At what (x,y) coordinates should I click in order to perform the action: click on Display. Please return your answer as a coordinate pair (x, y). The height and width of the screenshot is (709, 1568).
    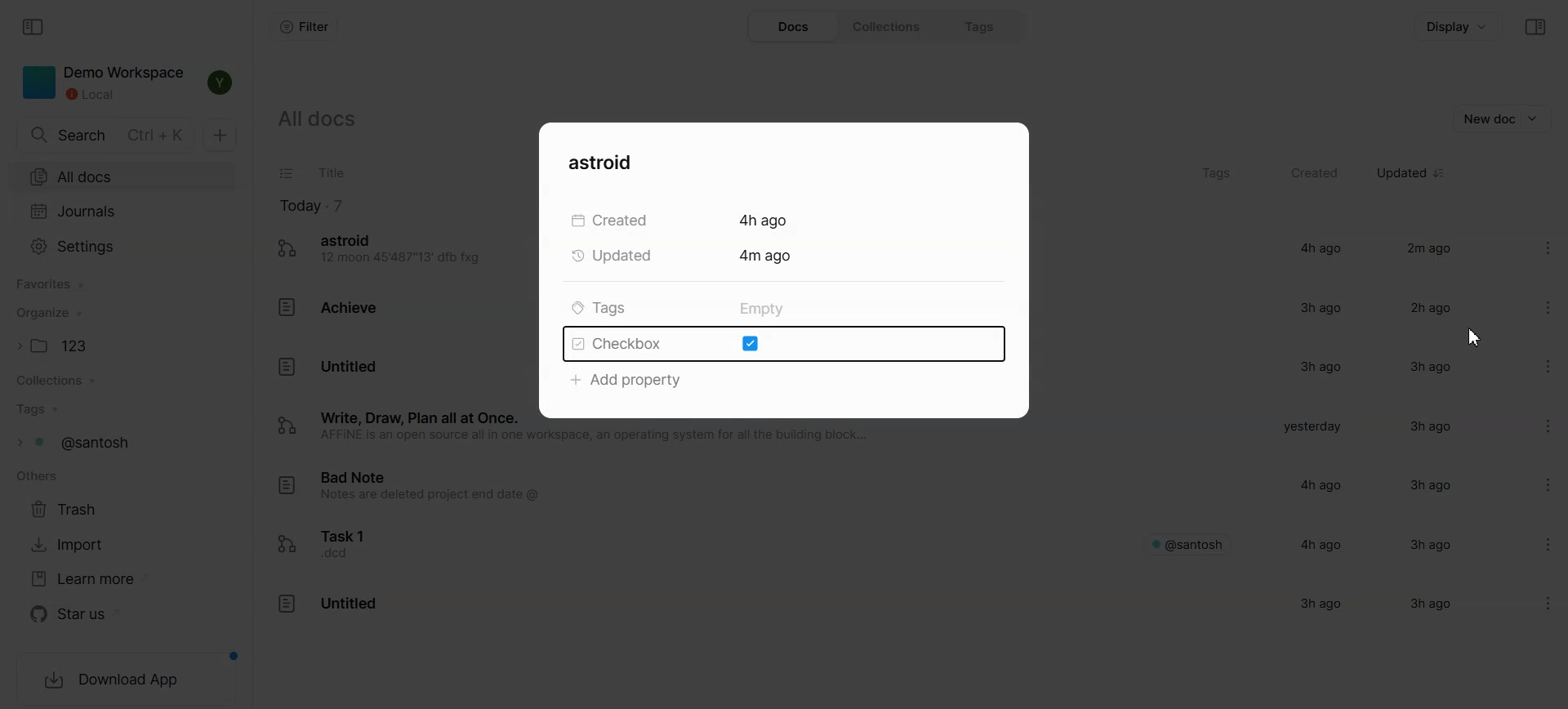
    Looking at the image, I should click on (1459, 26).